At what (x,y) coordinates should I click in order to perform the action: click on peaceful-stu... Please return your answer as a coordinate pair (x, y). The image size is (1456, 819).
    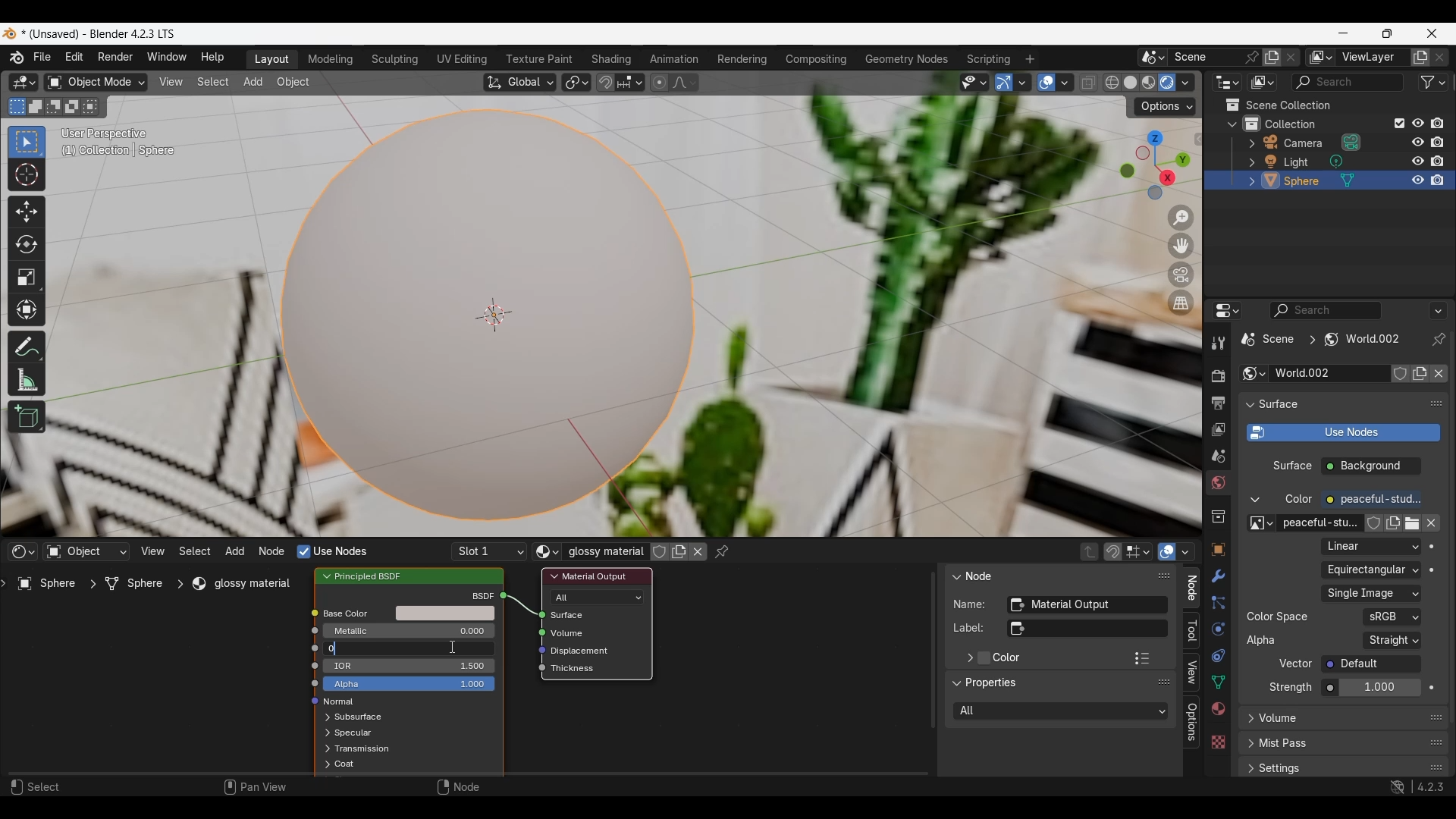
    Looking at the image, I should click on (1320, 523).